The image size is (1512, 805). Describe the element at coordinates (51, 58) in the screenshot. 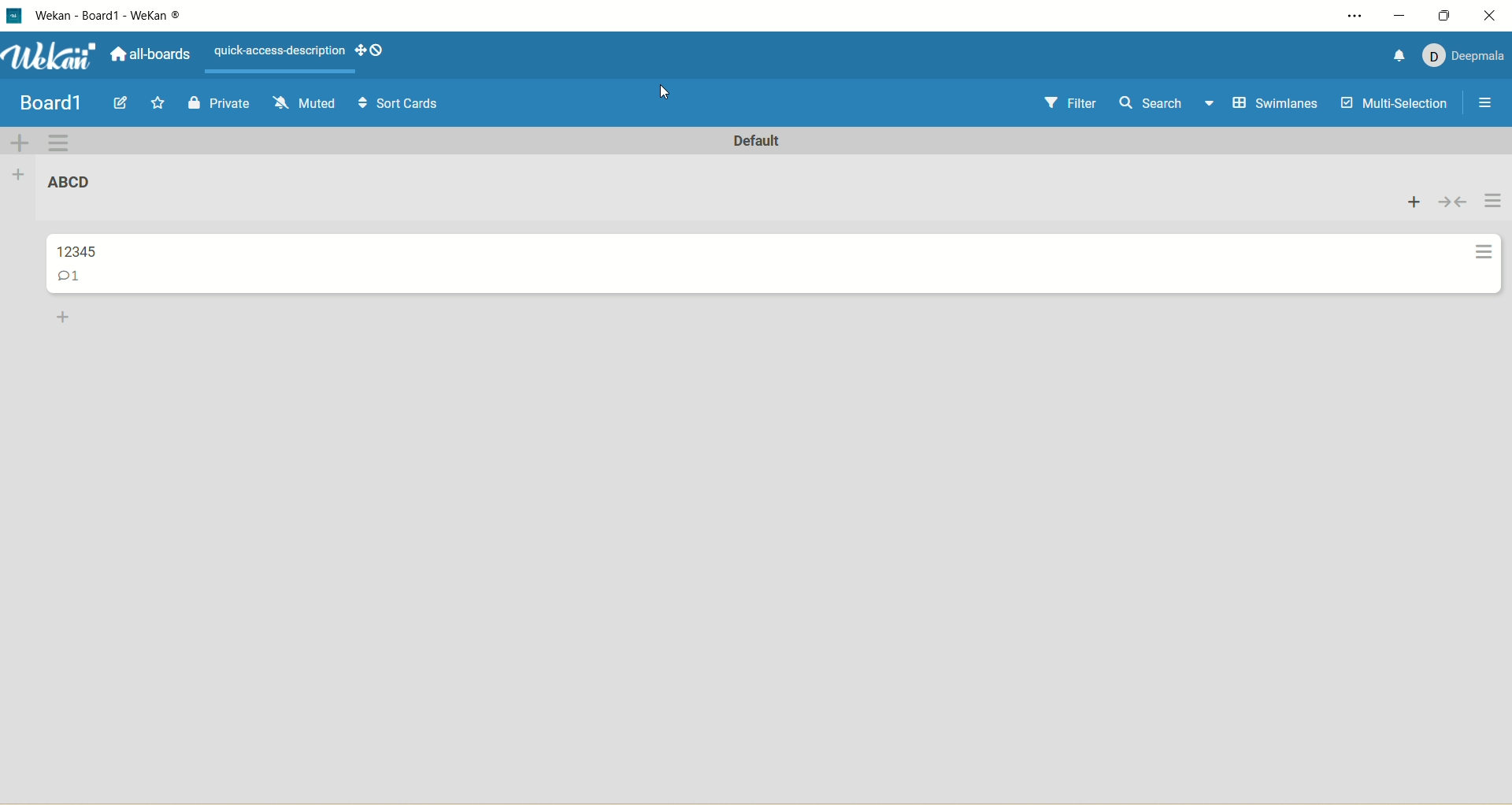

I see `wekan` at that location.